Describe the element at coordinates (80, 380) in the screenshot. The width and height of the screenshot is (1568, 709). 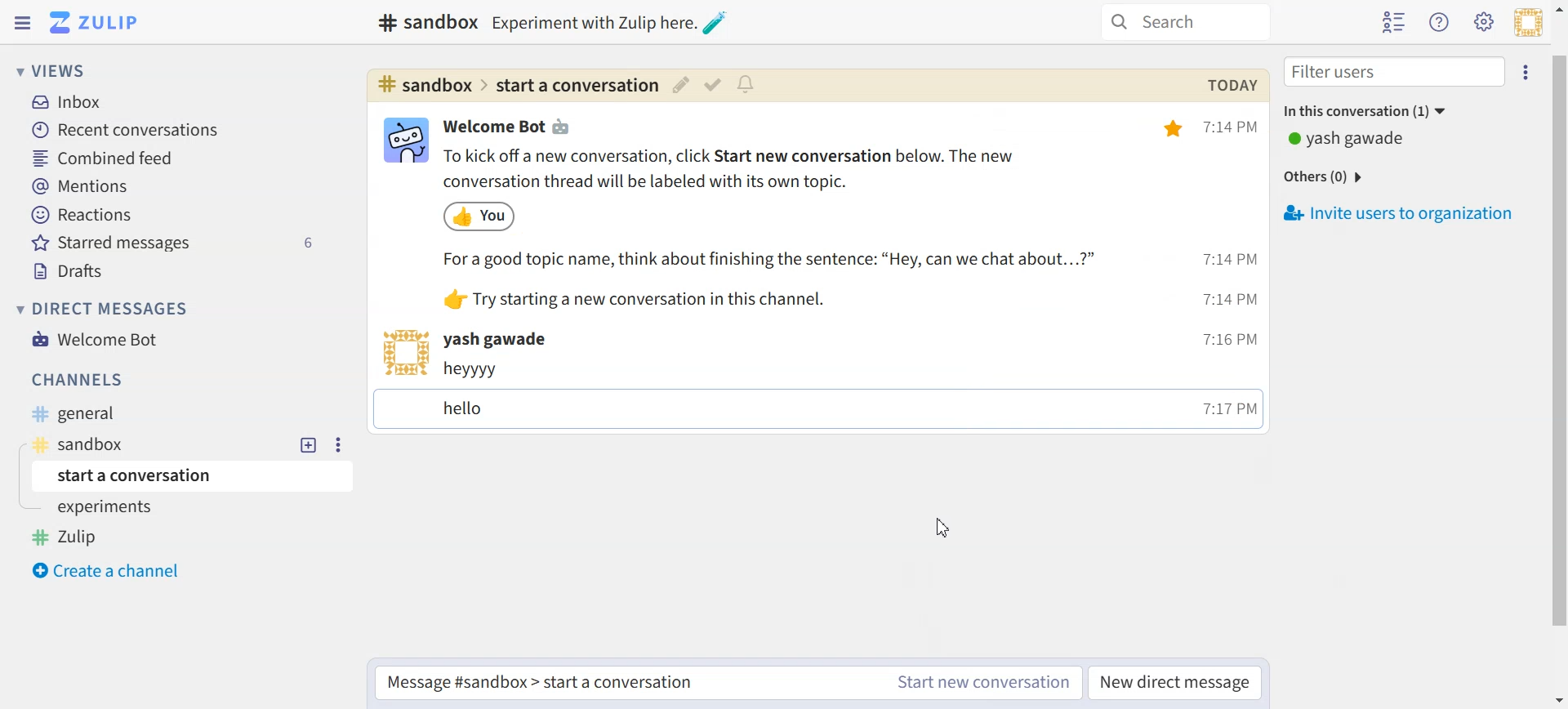
I see `Channels` at that location.